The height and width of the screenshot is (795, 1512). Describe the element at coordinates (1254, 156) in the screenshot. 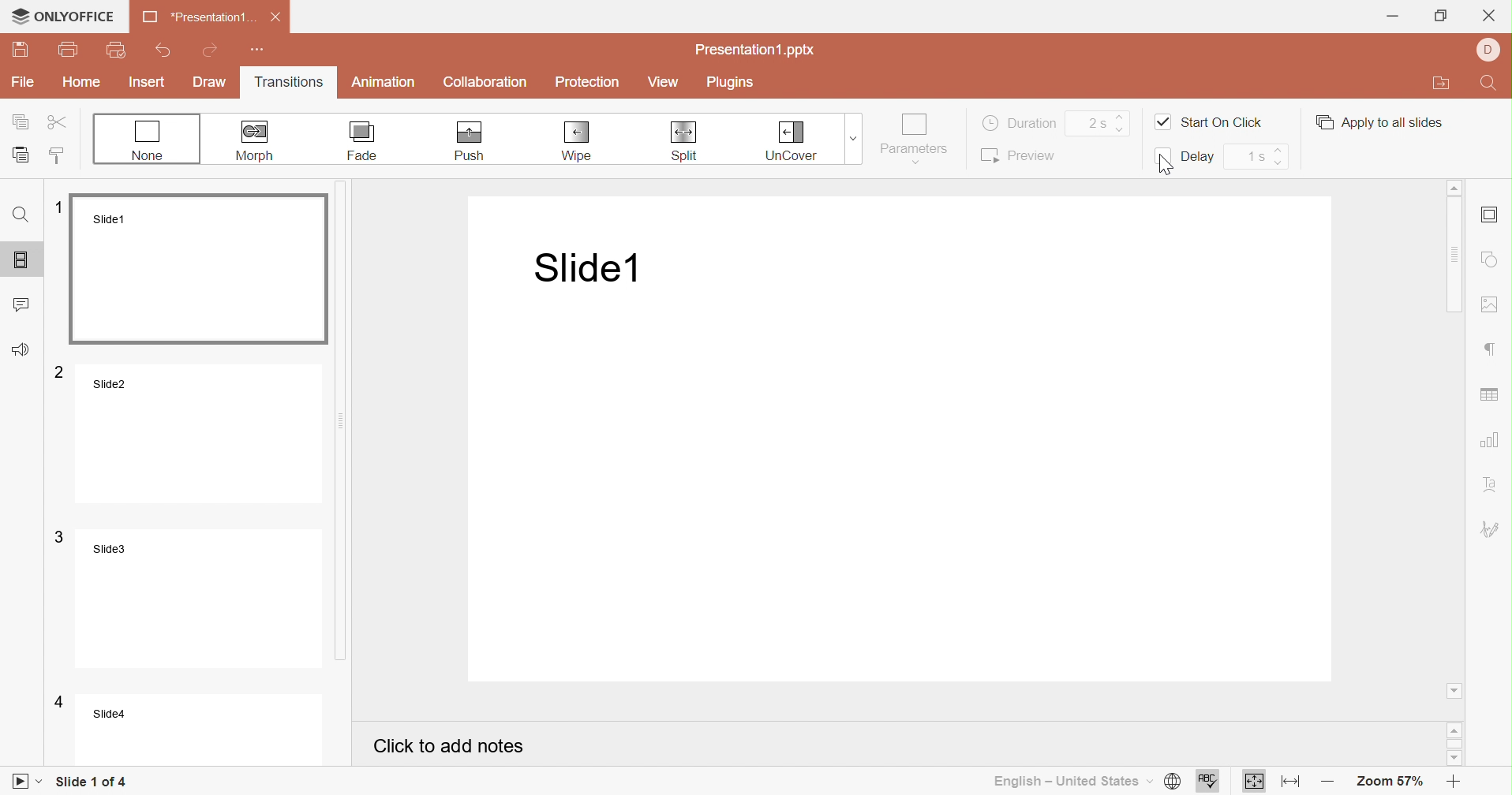

I see `1s` at that location.